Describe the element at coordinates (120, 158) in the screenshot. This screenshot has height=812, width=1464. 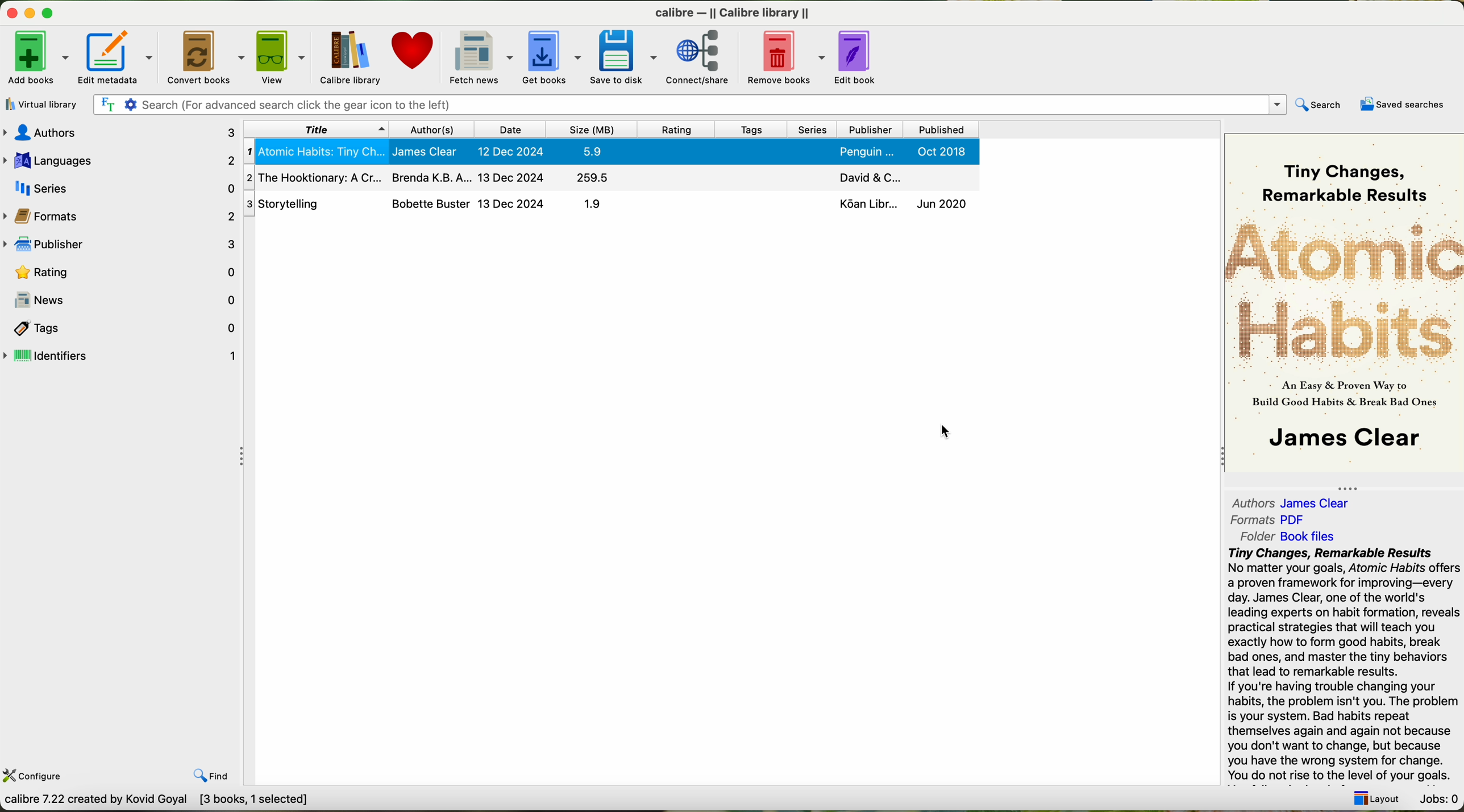
I see `Lanugages` at that location.